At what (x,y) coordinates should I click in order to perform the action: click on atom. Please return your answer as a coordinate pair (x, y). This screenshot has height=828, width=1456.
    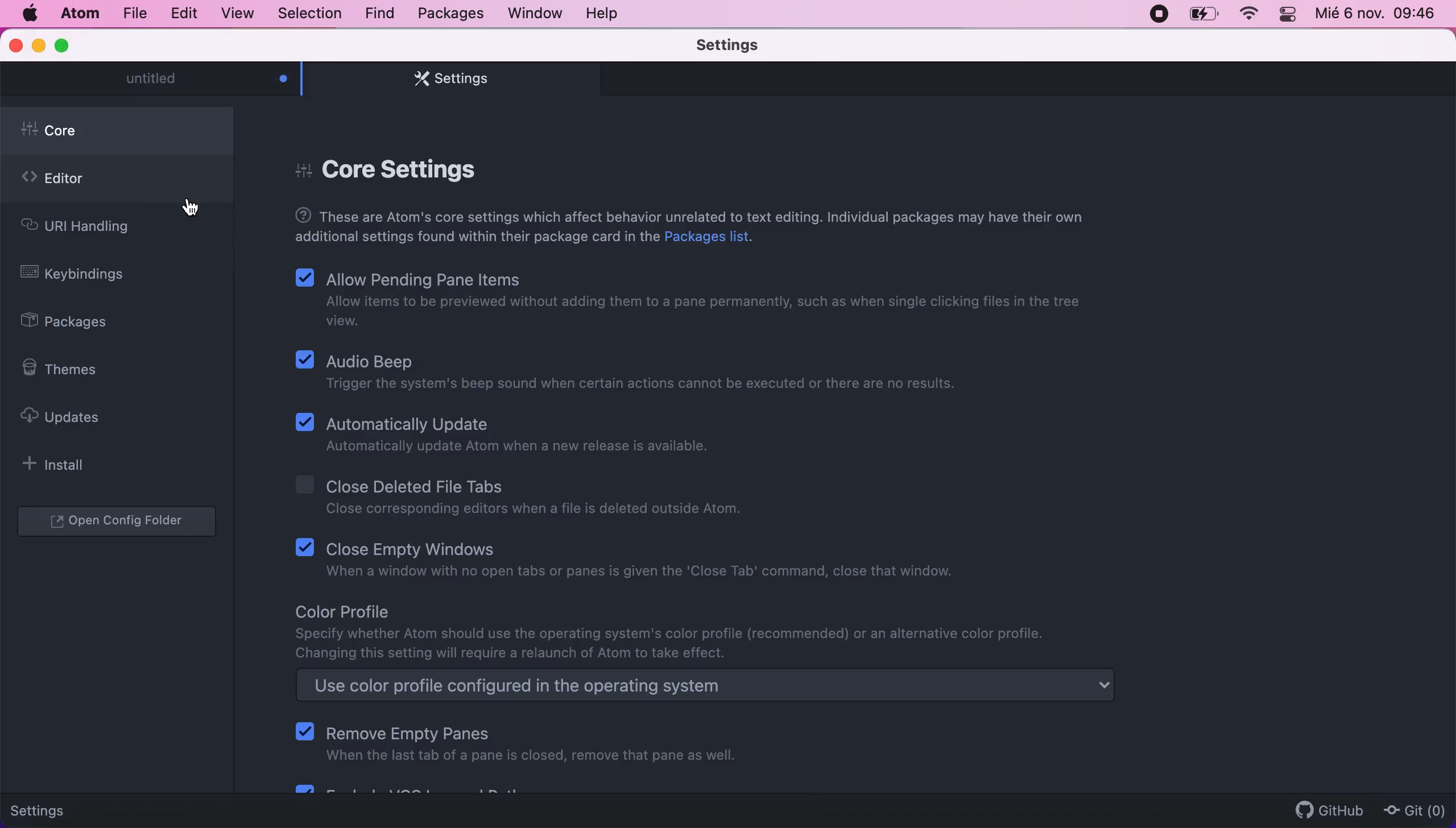
    Looking at the image, I should click on (78, 14).